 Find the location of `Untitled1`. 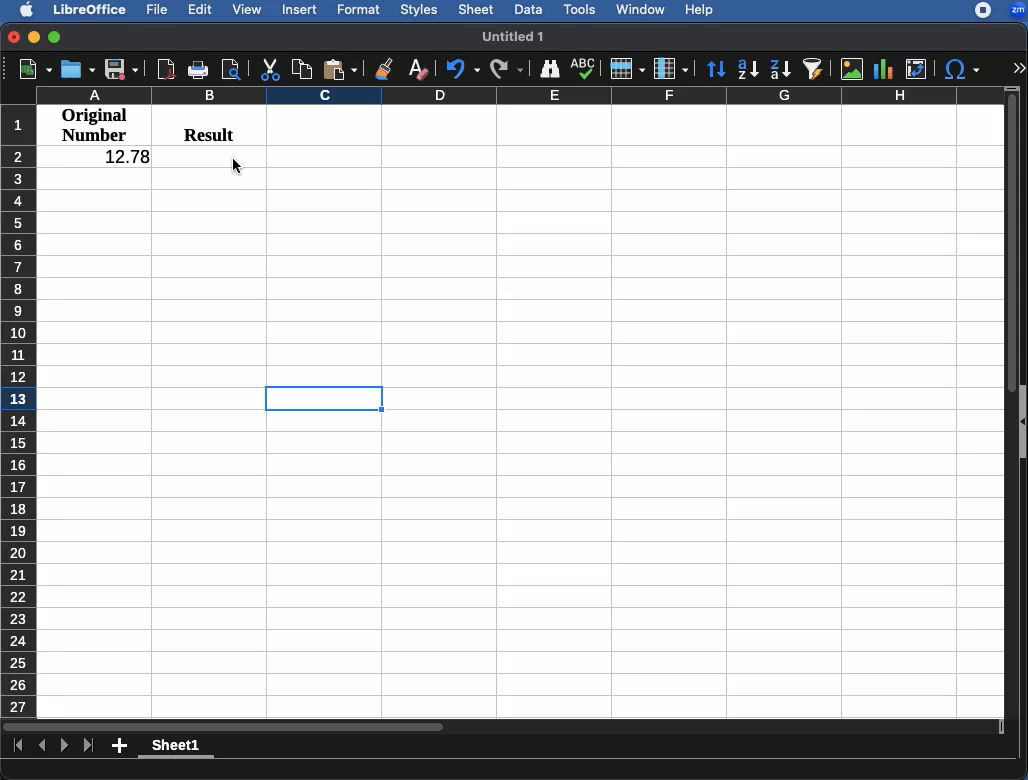

Untitled1 is located at coordinates (516, 36).